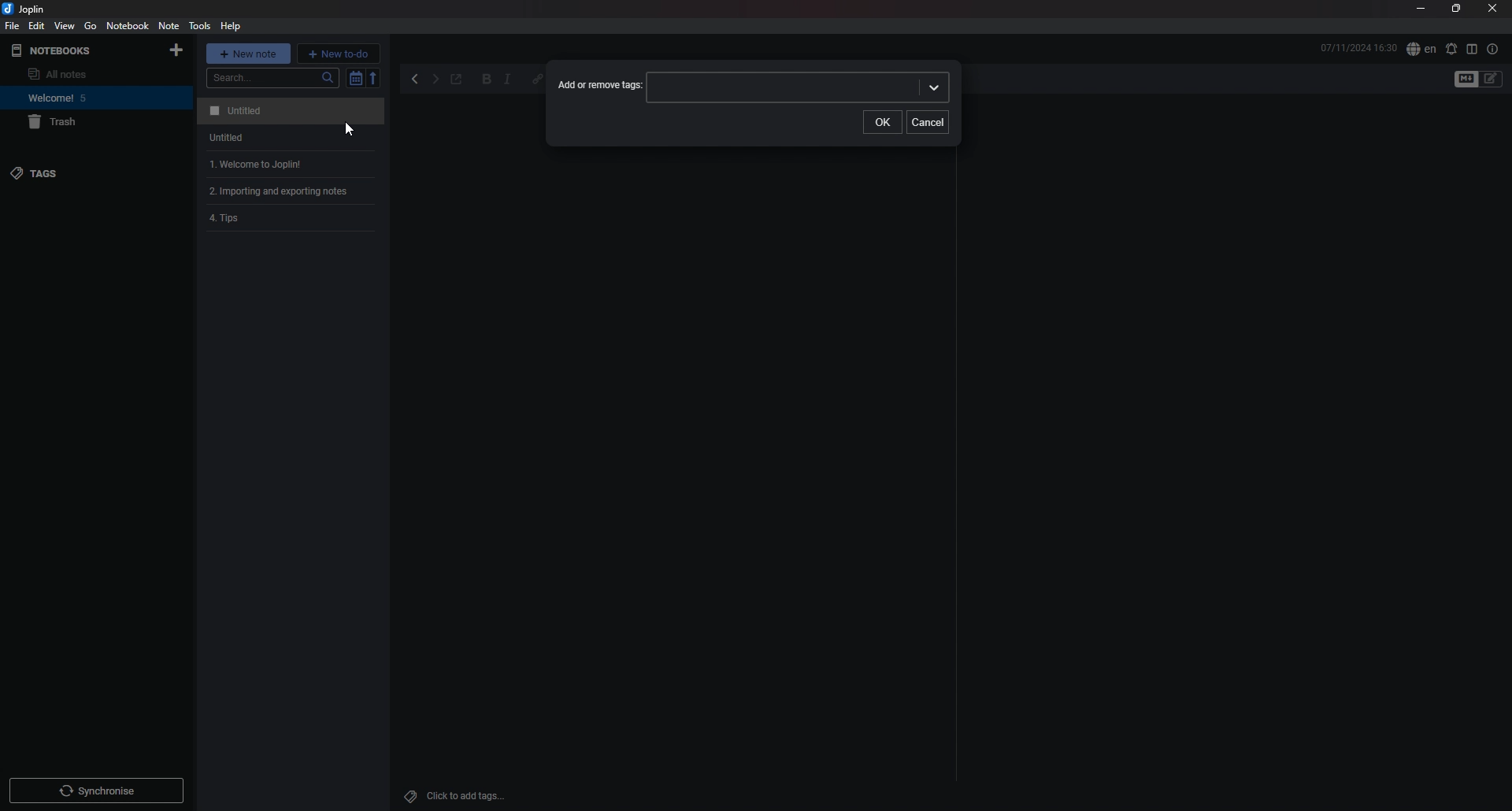  Describe the element at coordinates (355, 79) in the screenshot. I see `toggle sort order` at that location.